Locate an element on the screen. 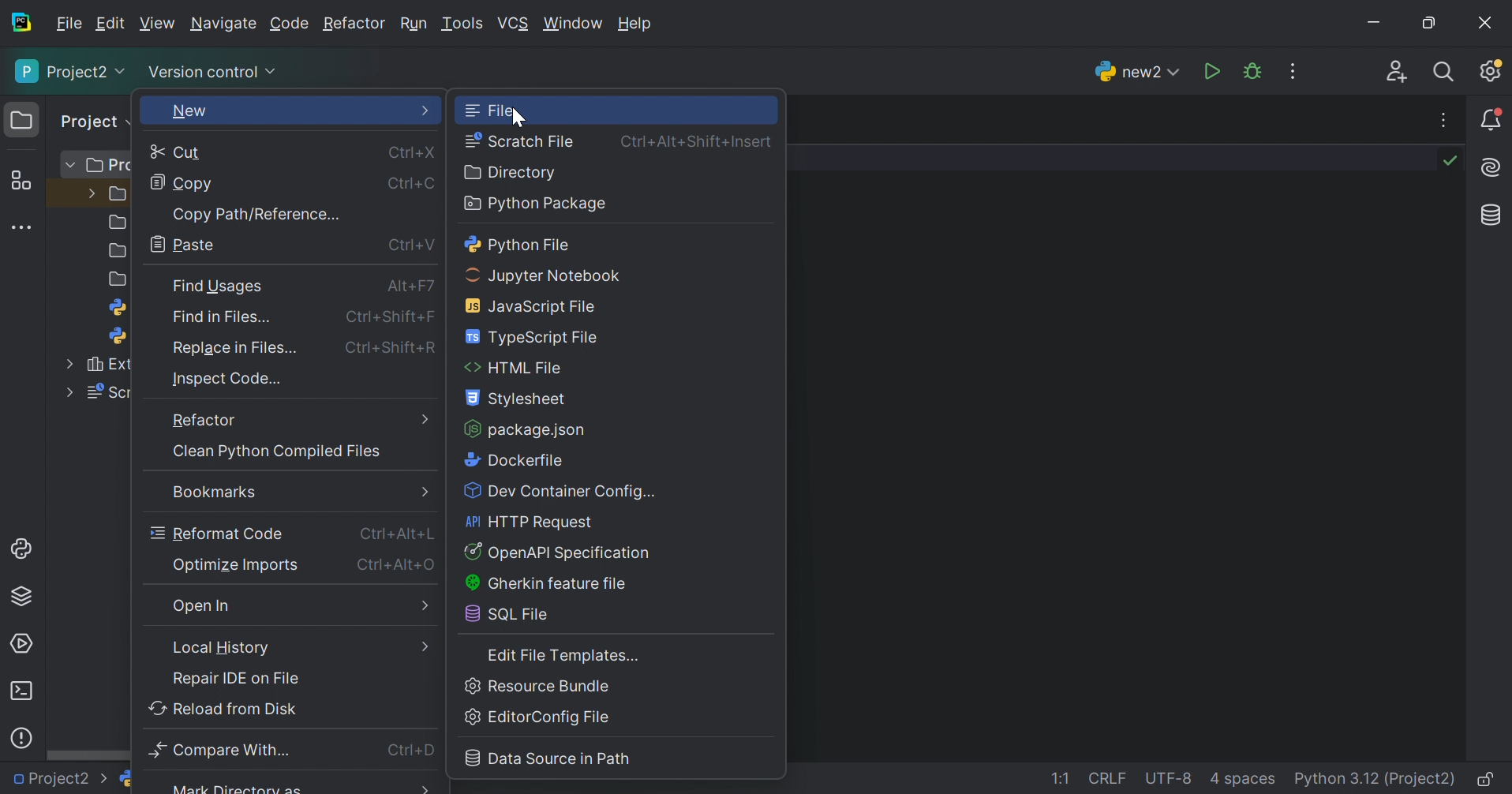 The height and width of the screenshot is (794, 1512). Dockerfile is located at coordinates (512, 460).